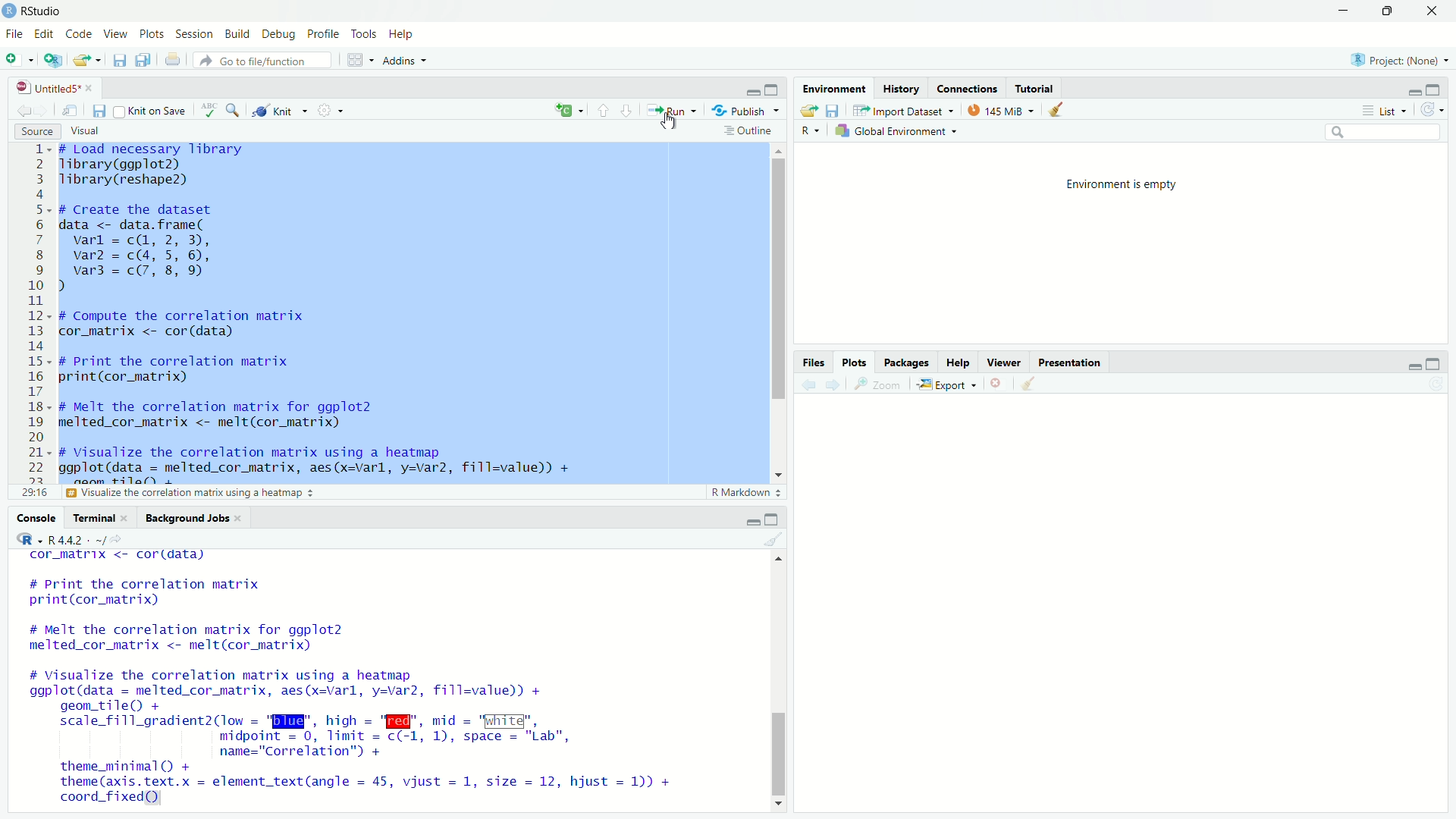  I want to click on view, so click(116, 35).